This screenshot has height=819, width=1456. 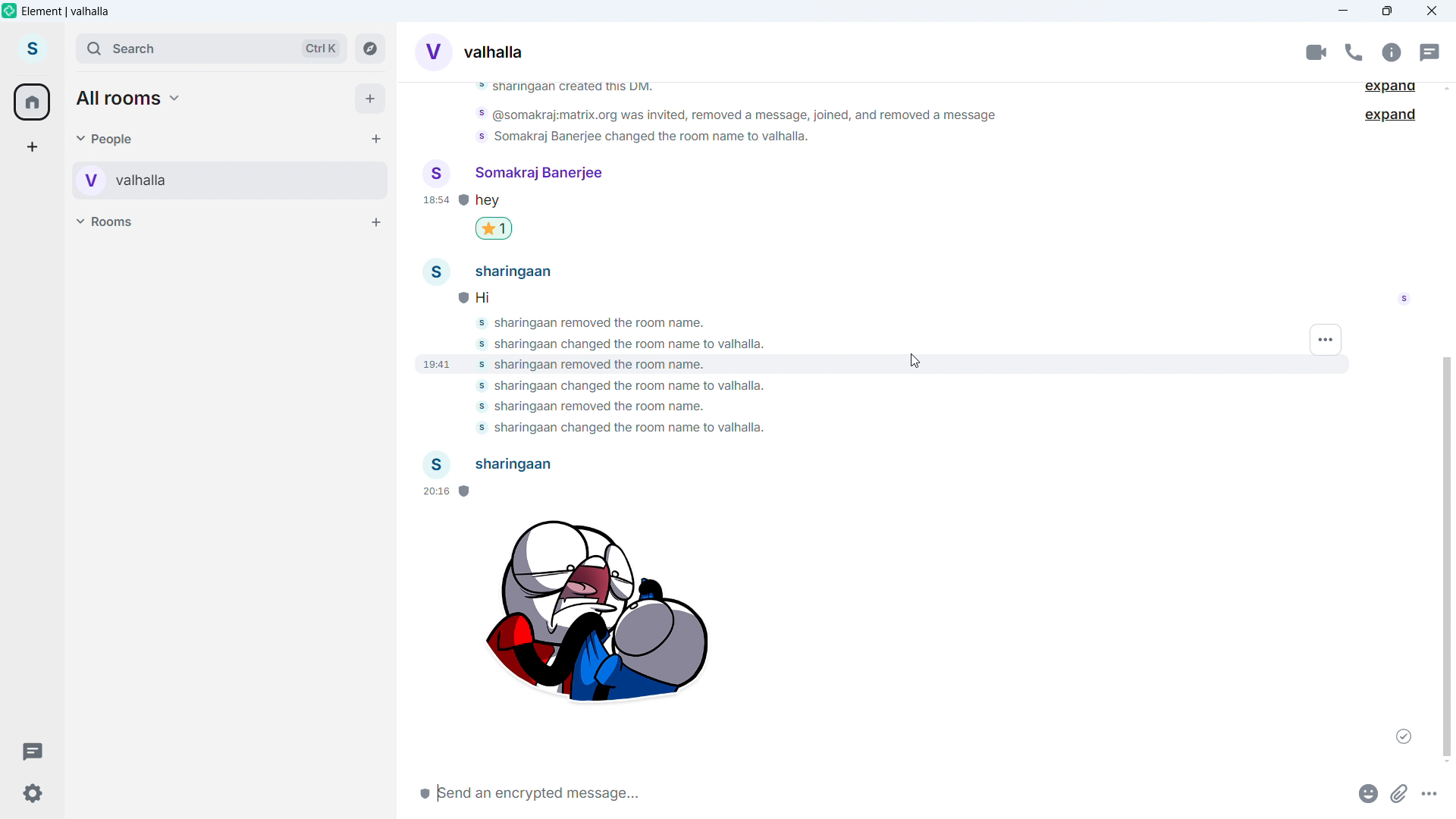 I want to click on Settings, so click(x=32, y=792).